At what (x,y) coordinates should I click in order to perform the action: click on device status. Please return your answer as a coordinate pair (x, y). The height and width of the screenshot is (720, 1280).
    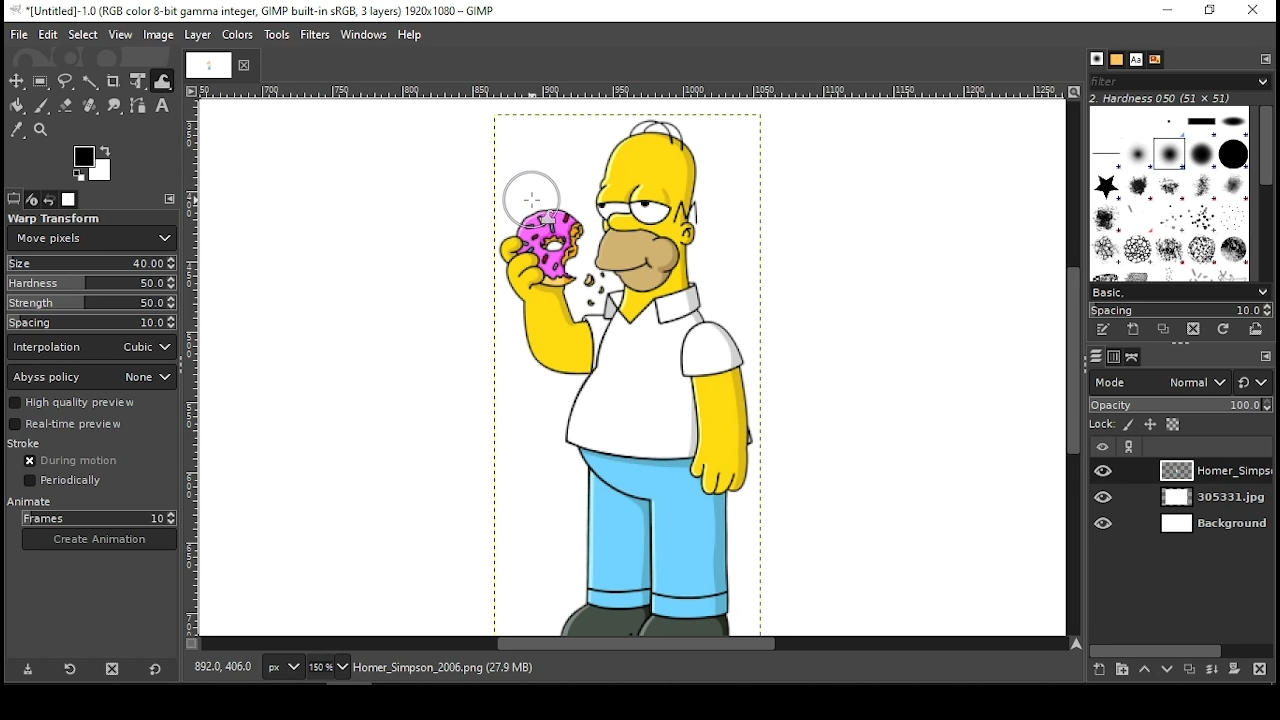
    Looking at the image, I should click on (33, 200).